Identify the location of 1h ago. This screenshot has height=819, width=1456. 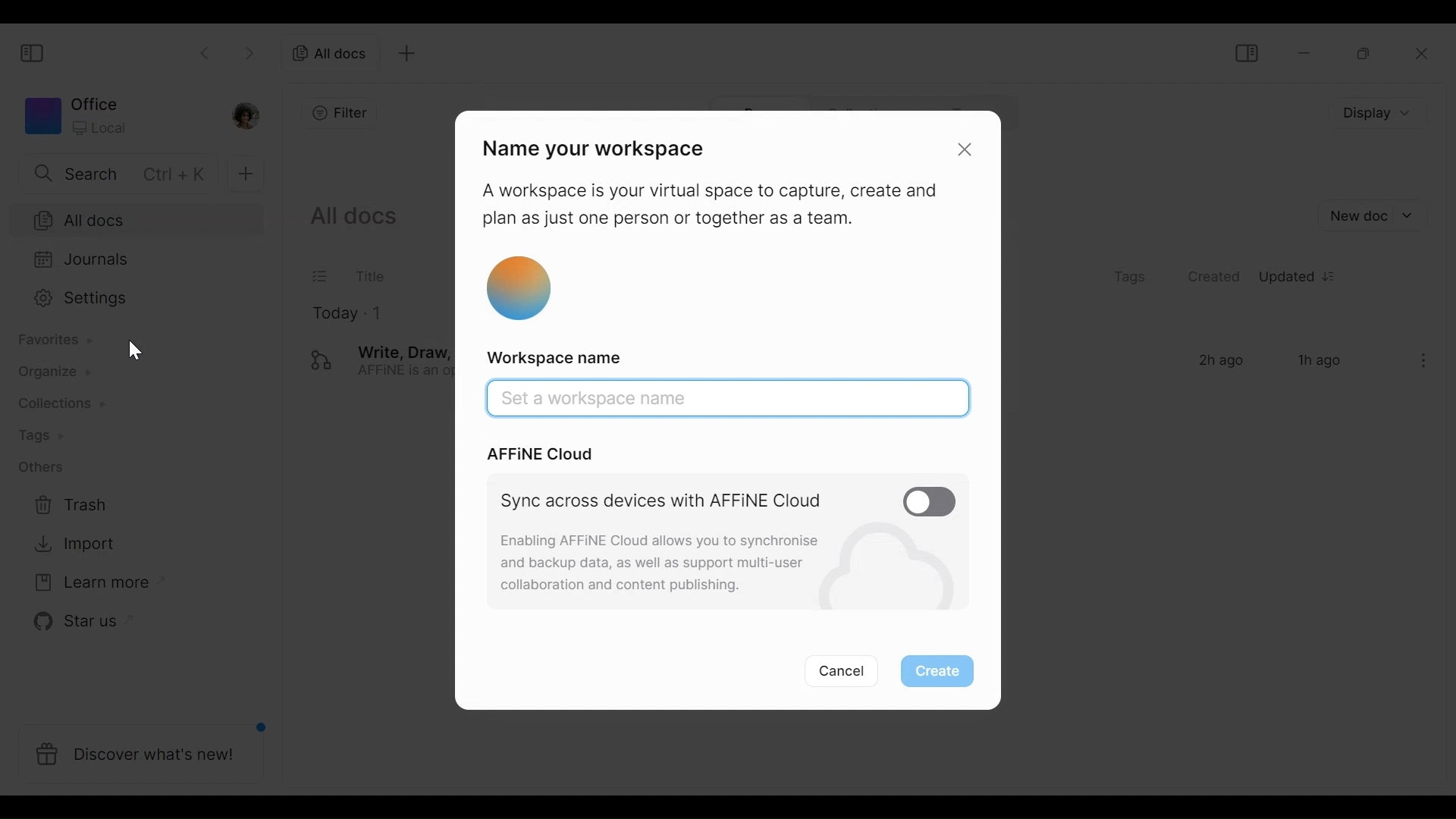
(1323, 361).